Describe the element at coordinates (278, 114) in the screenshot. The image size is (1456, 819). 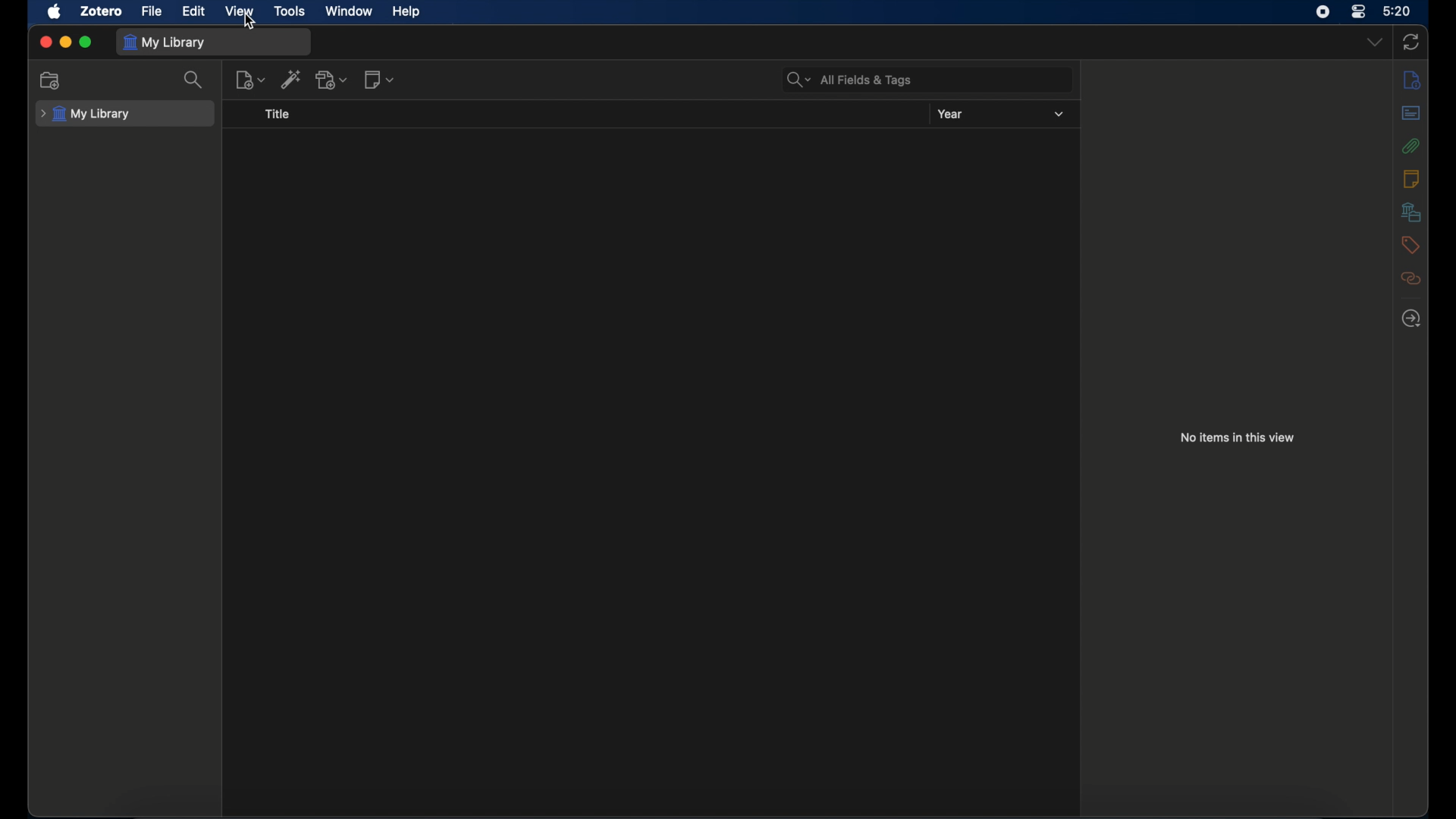
I see `title` at that location.